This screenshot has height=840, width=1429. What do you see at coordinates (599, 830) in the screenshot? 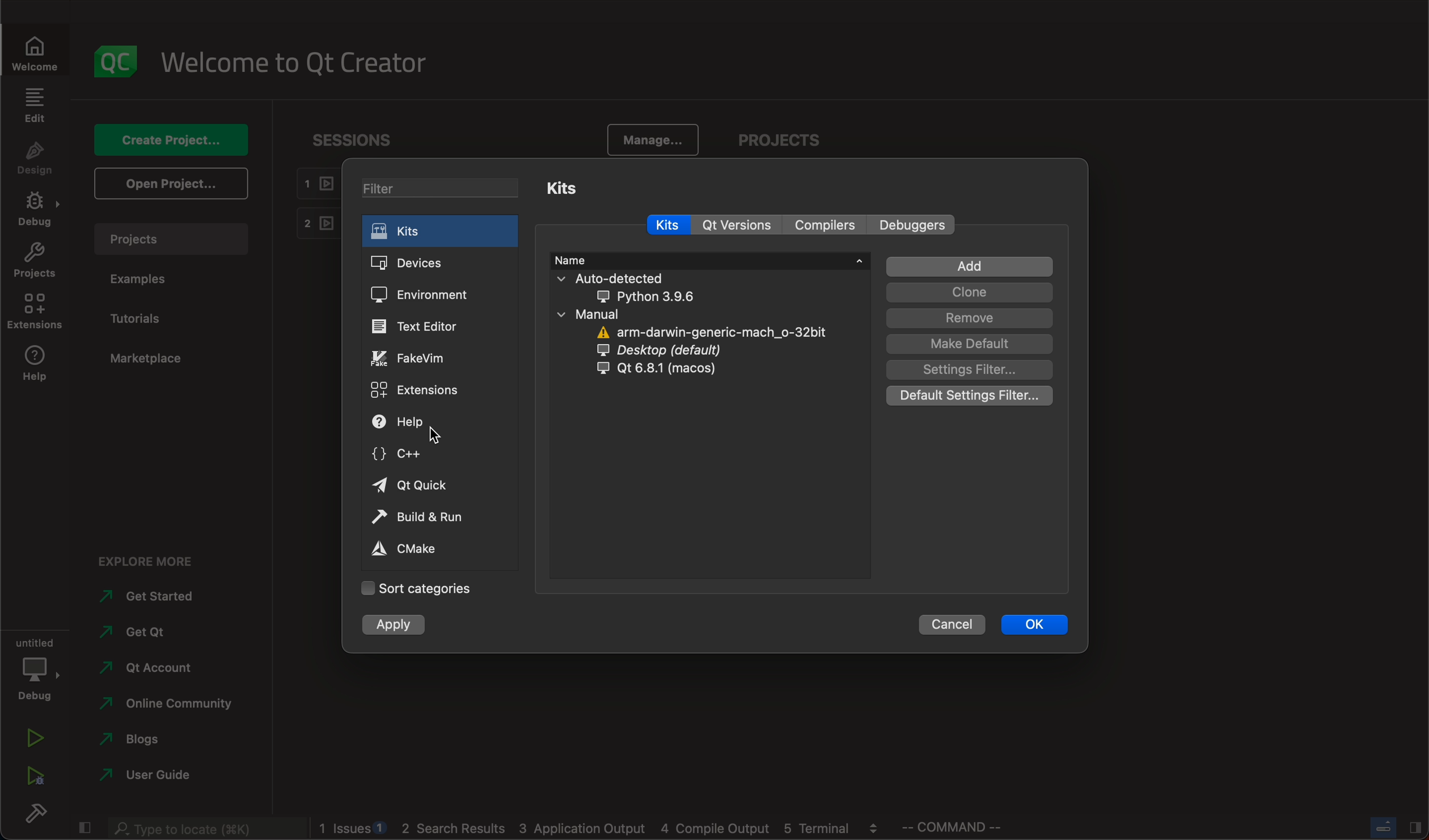
I see `blogs` at bounding box center [599, 830].